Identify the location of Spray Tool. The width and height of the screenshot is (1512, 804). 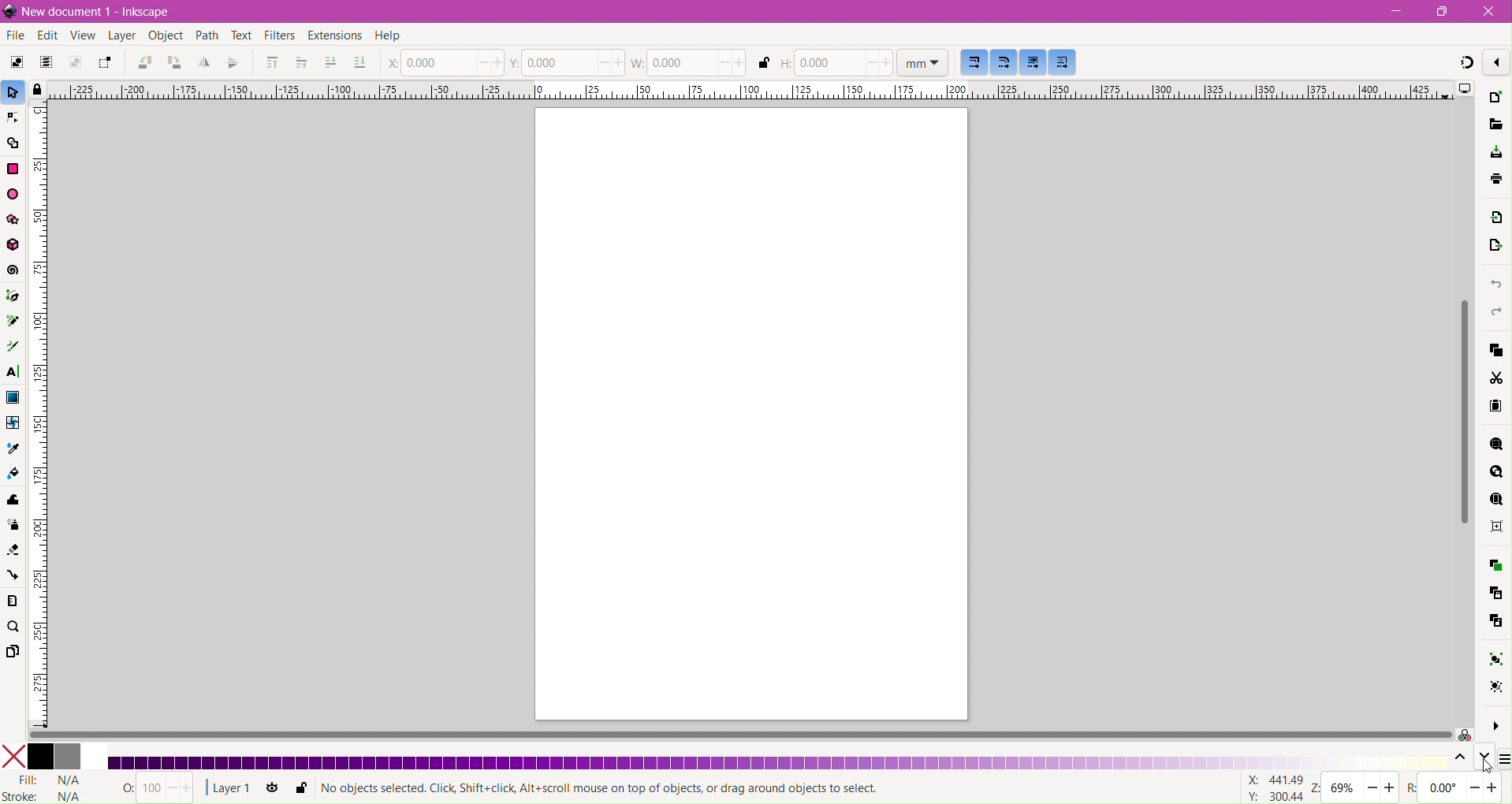
(13, 525).